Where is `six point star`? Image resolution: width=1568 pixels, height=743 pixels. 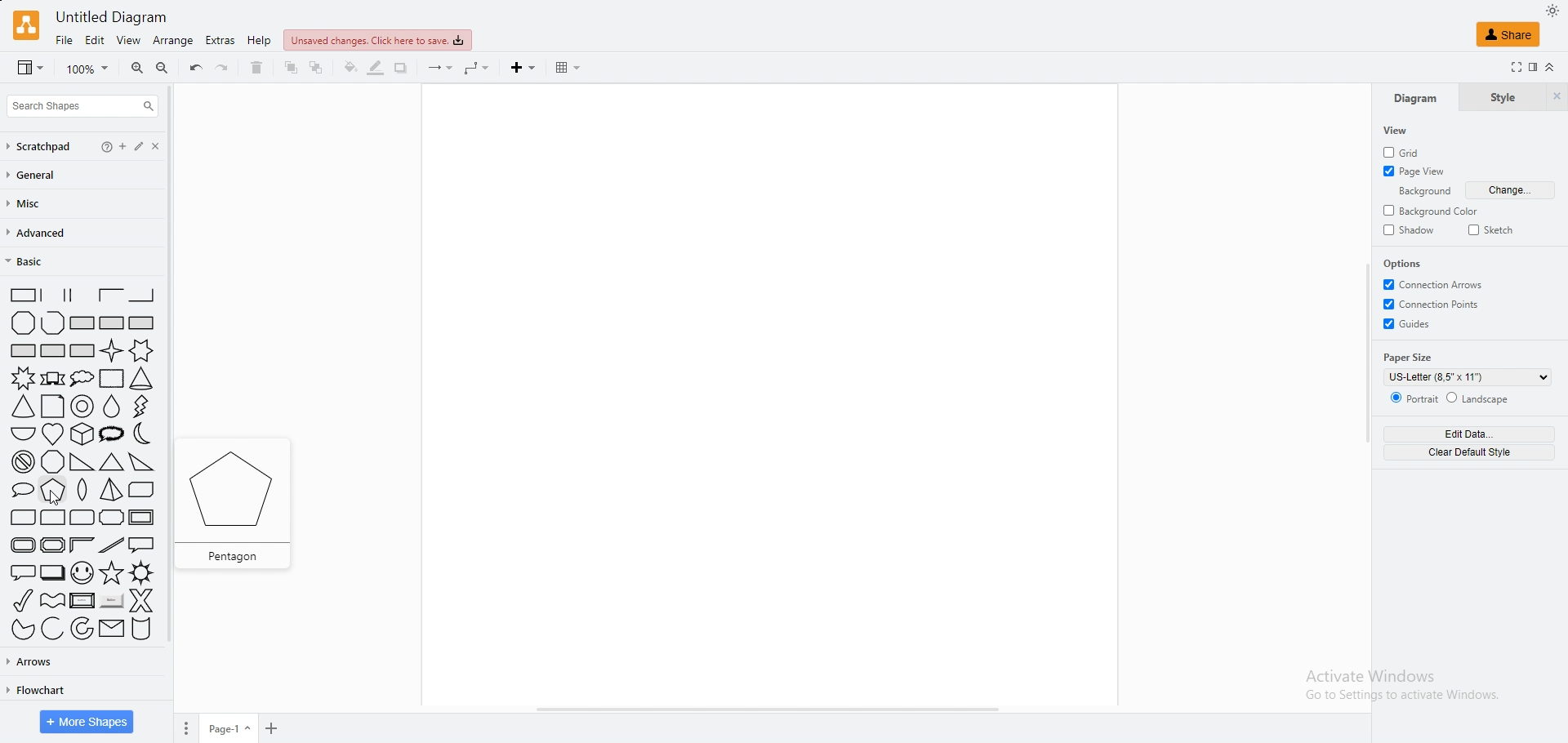
six point star is located at coordinates (143, 350).